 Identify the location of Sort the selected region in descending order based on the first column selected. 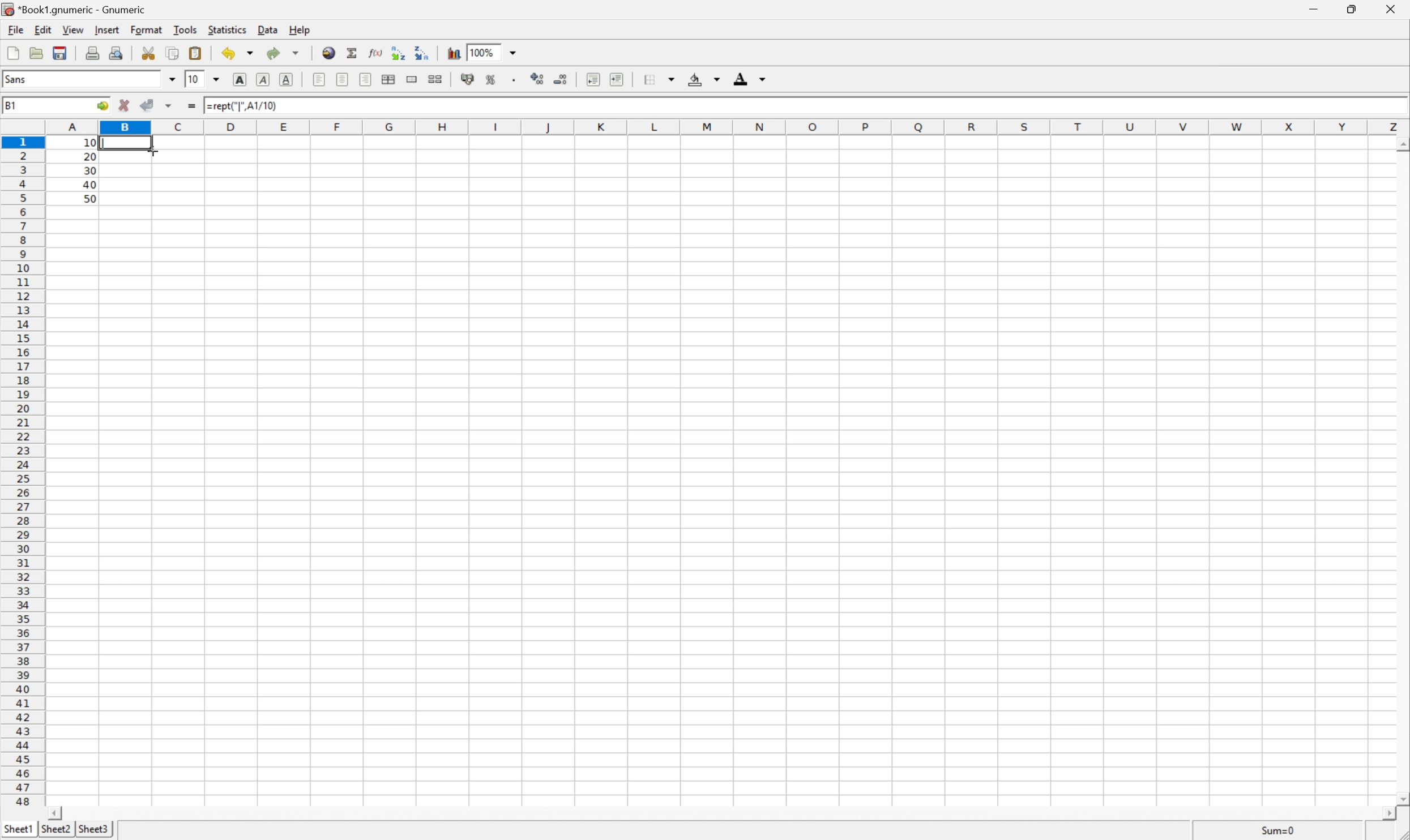
(422, 52).